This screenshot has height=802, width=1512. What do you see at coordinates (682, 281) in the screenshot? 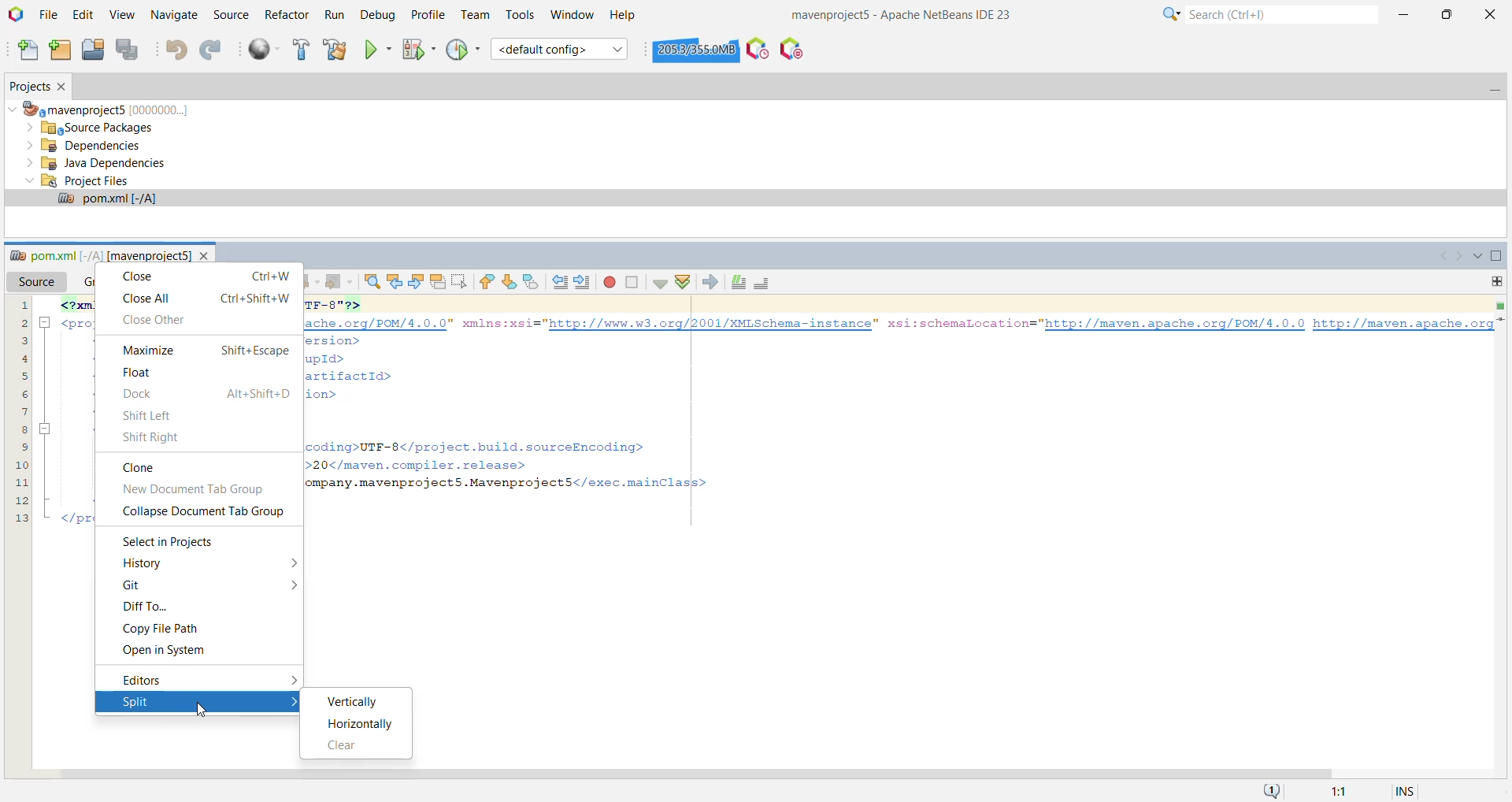
I see `Validate XML` at bounding box center [682, 281].